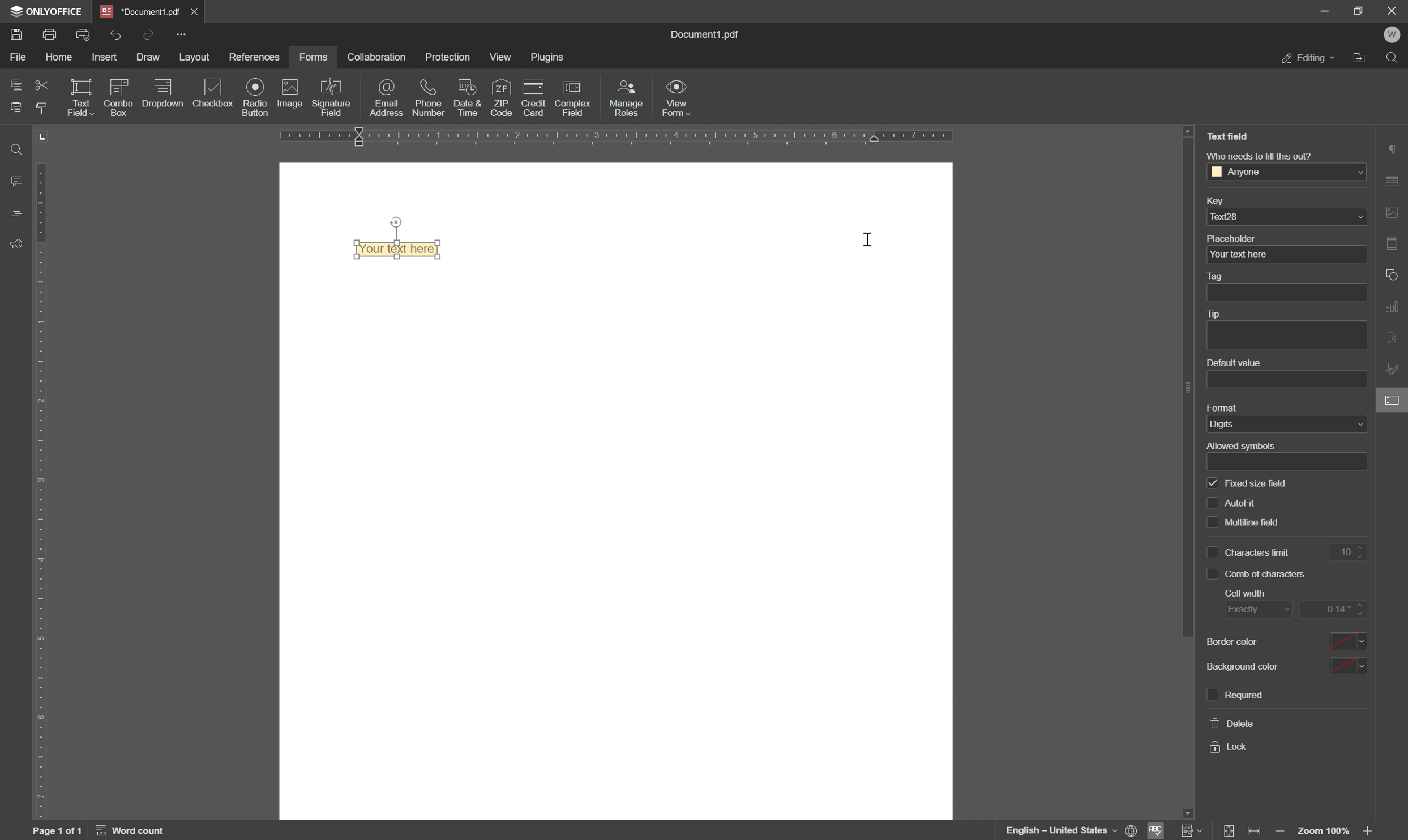  I want to click on home, so click(60, 59).